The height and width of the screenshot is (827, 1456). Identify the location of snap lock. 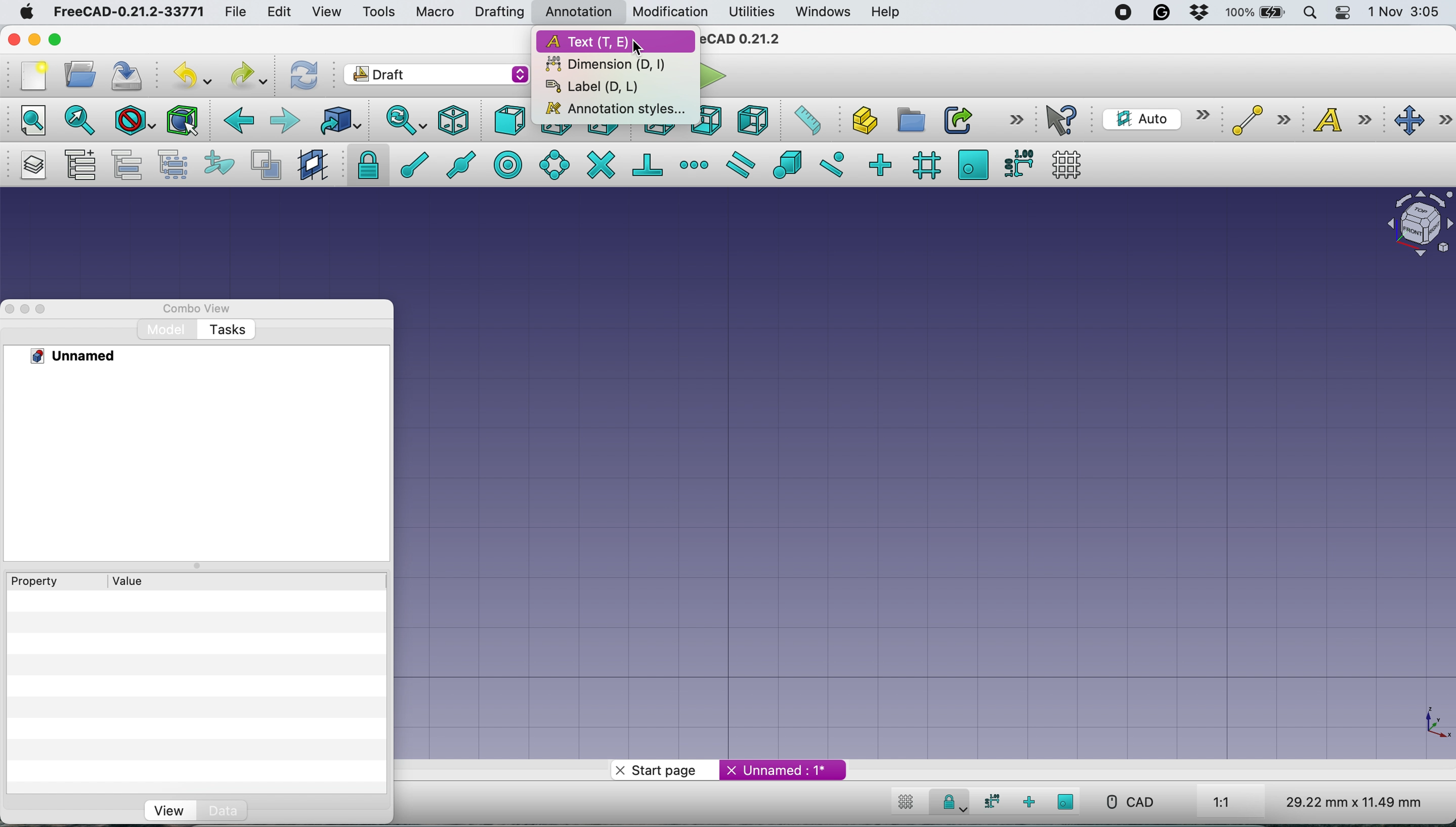
(949, 801).